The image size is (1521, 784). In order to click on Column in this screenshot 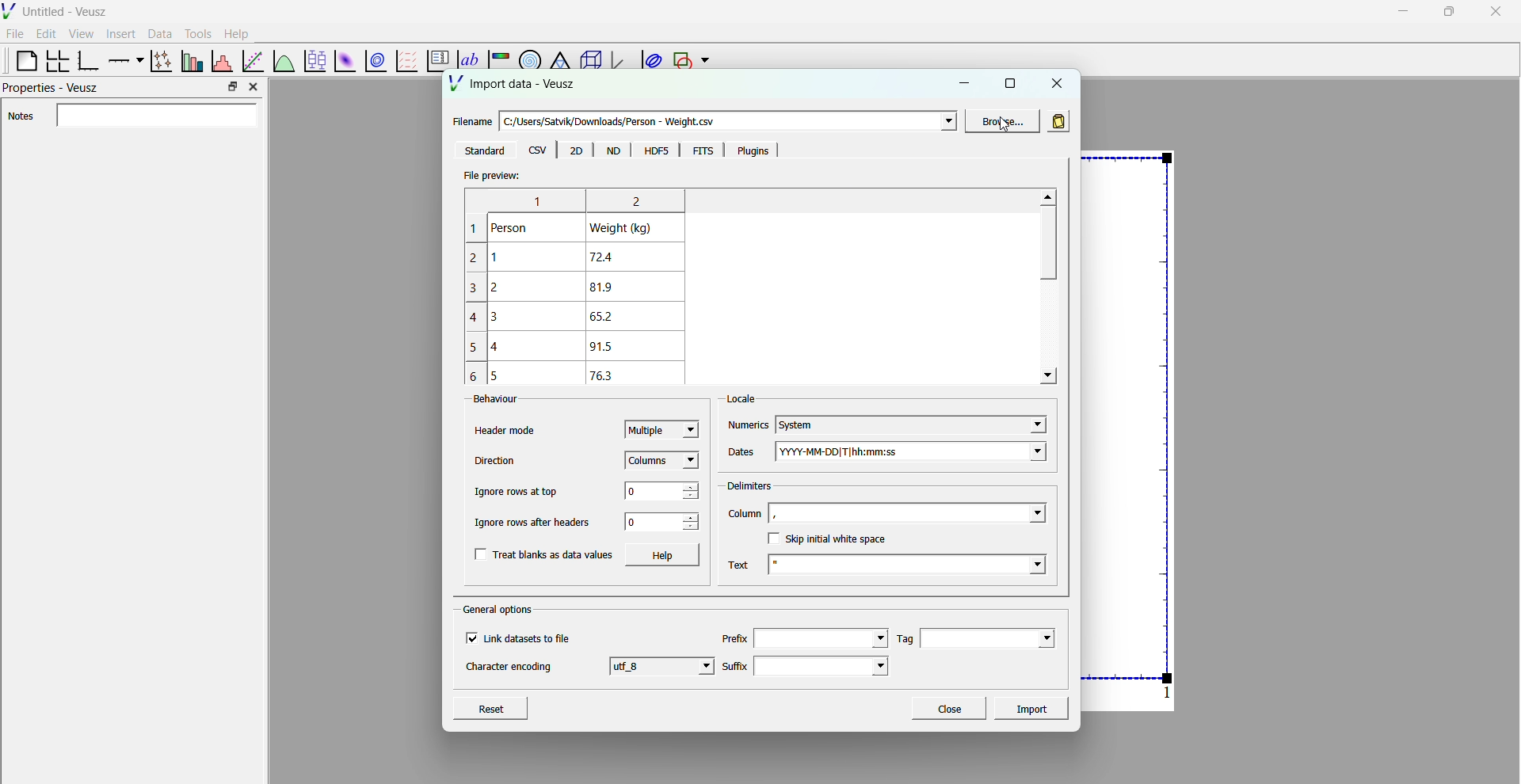, I will do `click(745, 515)`.